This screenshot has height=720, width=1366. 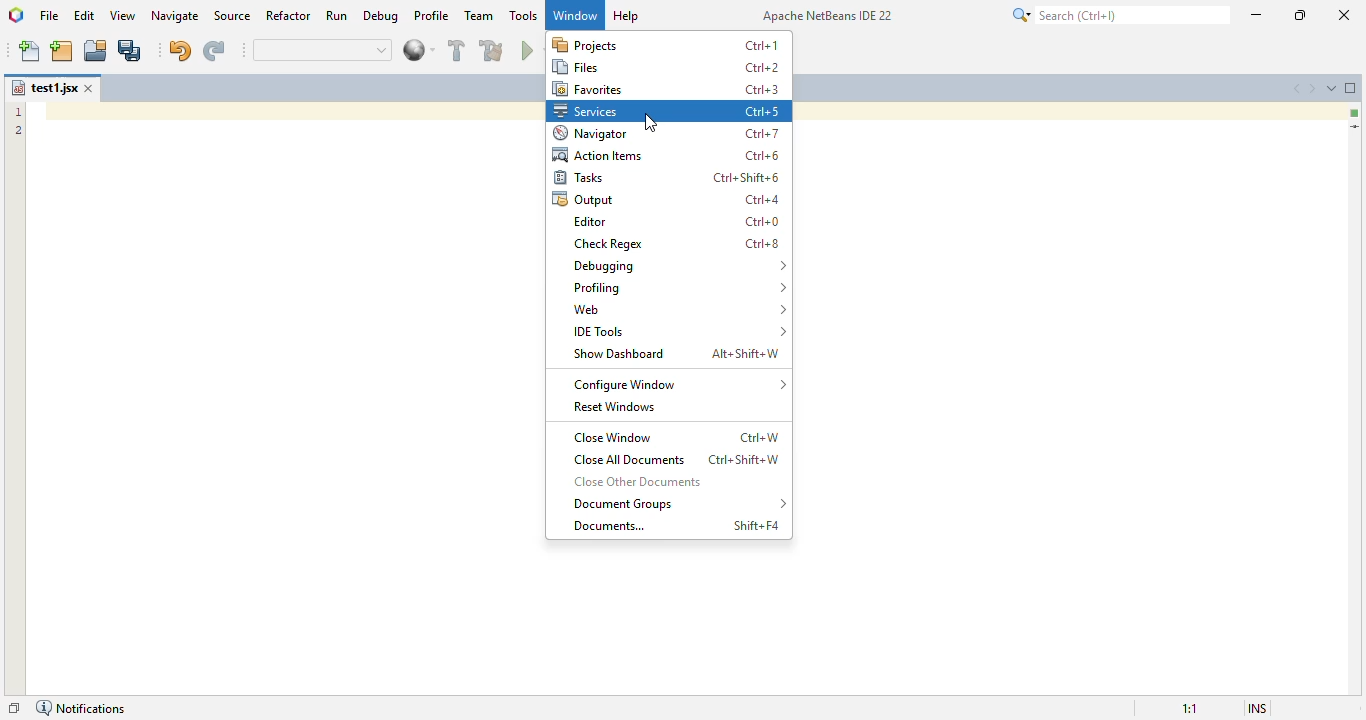 I want to click on shortcut for action items, so click(x=763, y=156).